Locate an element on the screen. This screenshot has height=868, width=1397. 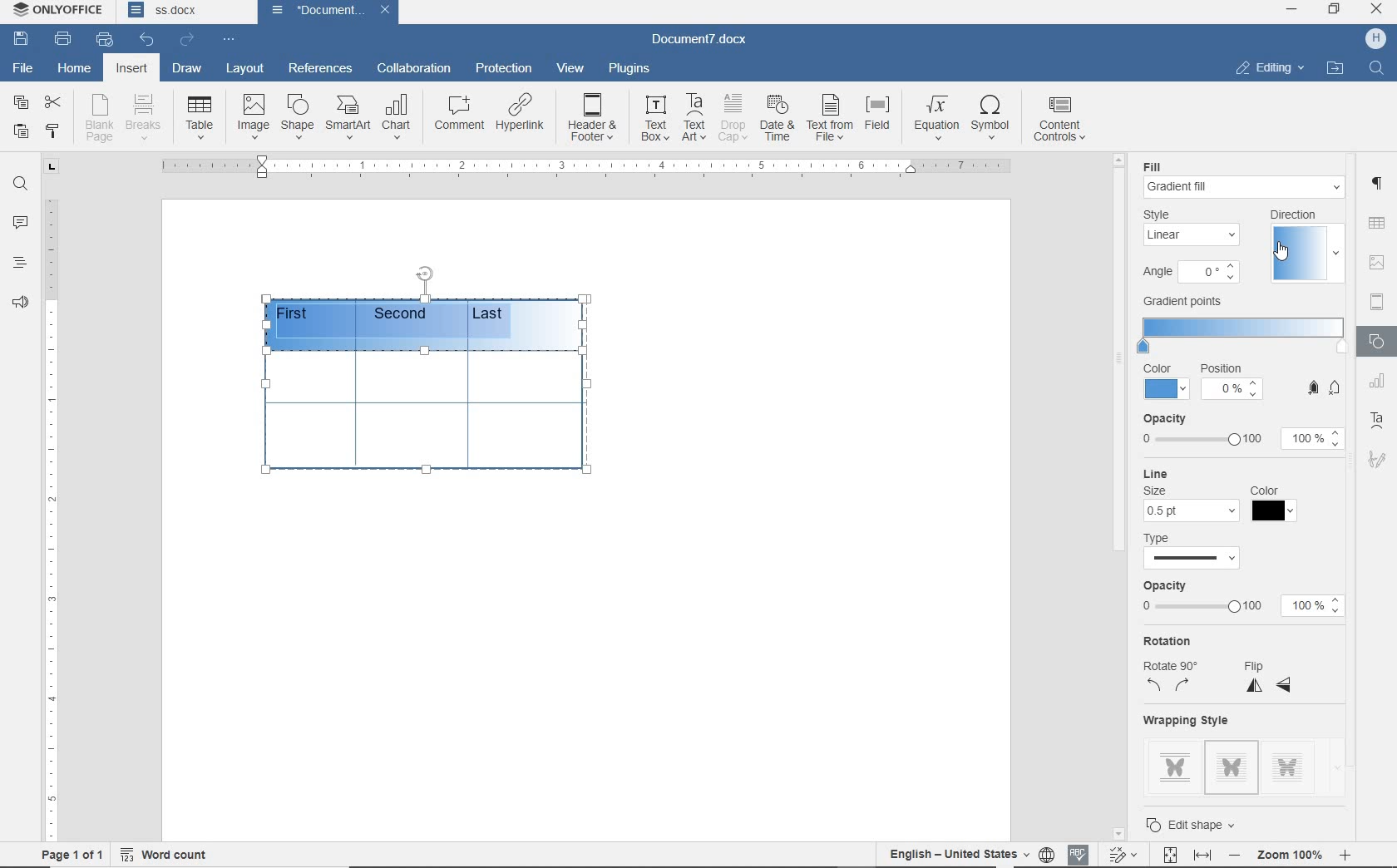
headings is located at coordinates (19, 264).